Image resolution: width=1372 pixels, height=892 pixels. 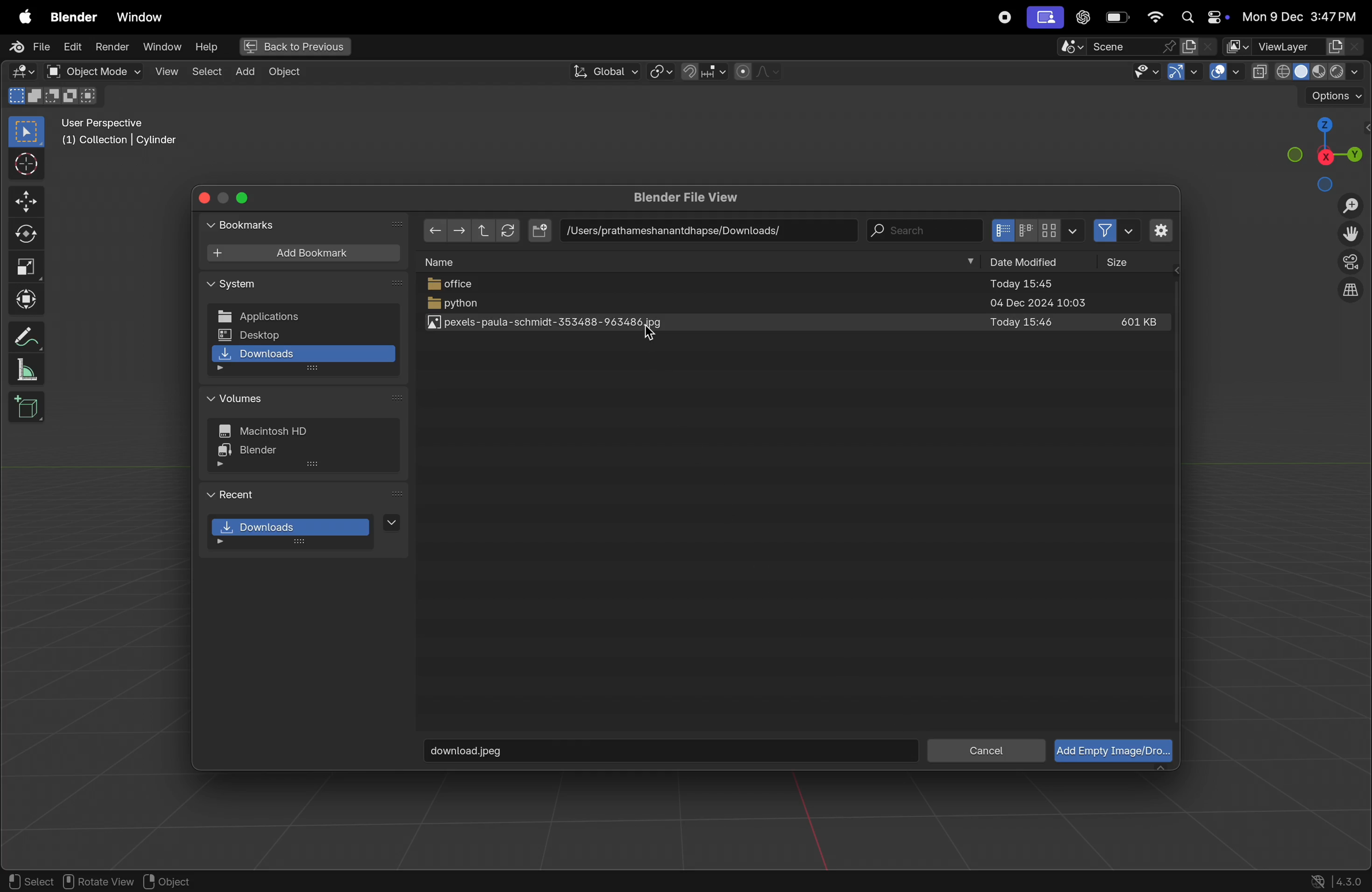 What do you see at coordinates (248, 197) in the screenshot?
I see `close` at bounding box center [248, 197].